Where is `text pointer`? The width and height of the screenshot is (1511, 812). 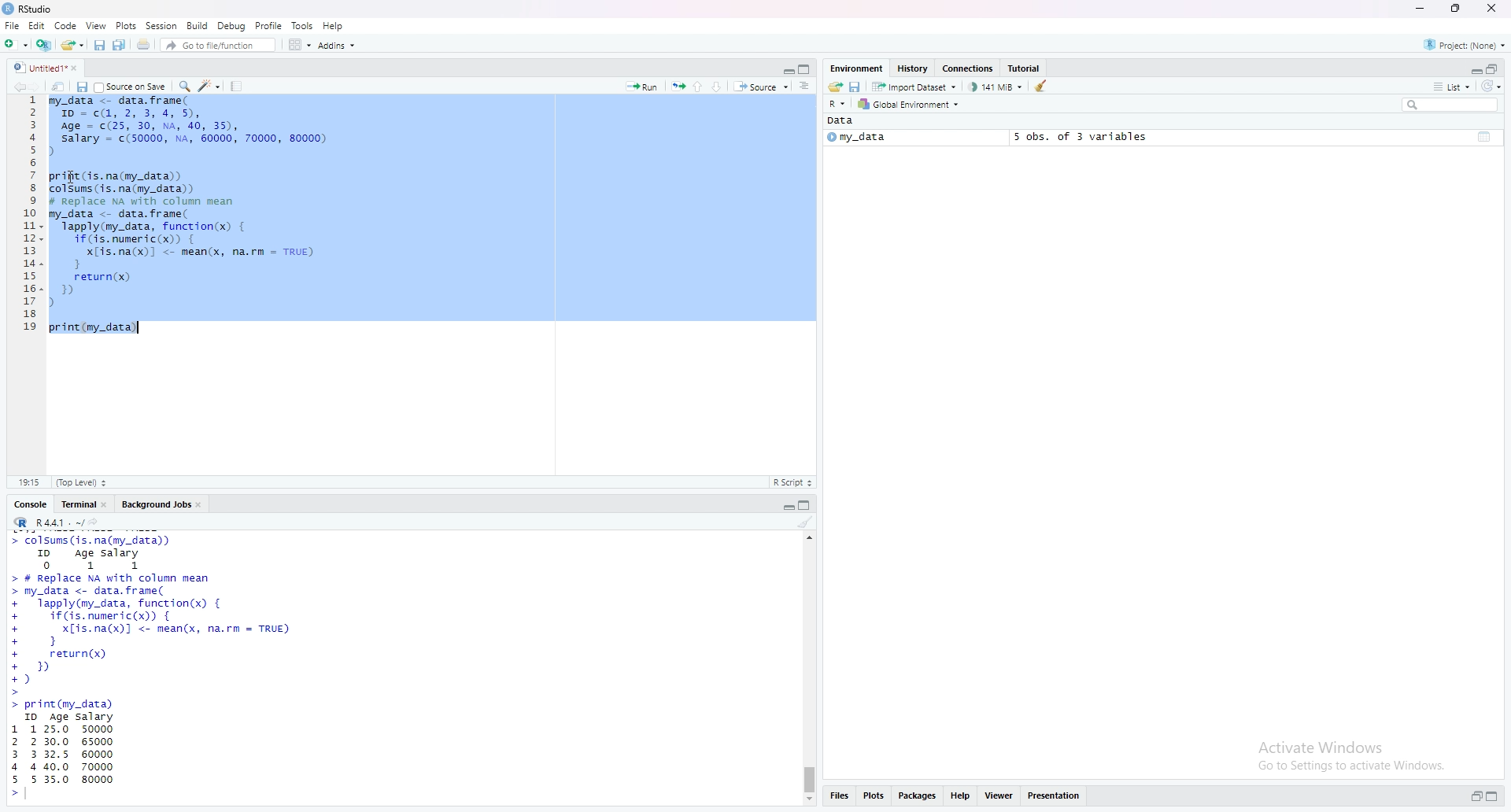 text pointer is located at coordinates (29, 797).